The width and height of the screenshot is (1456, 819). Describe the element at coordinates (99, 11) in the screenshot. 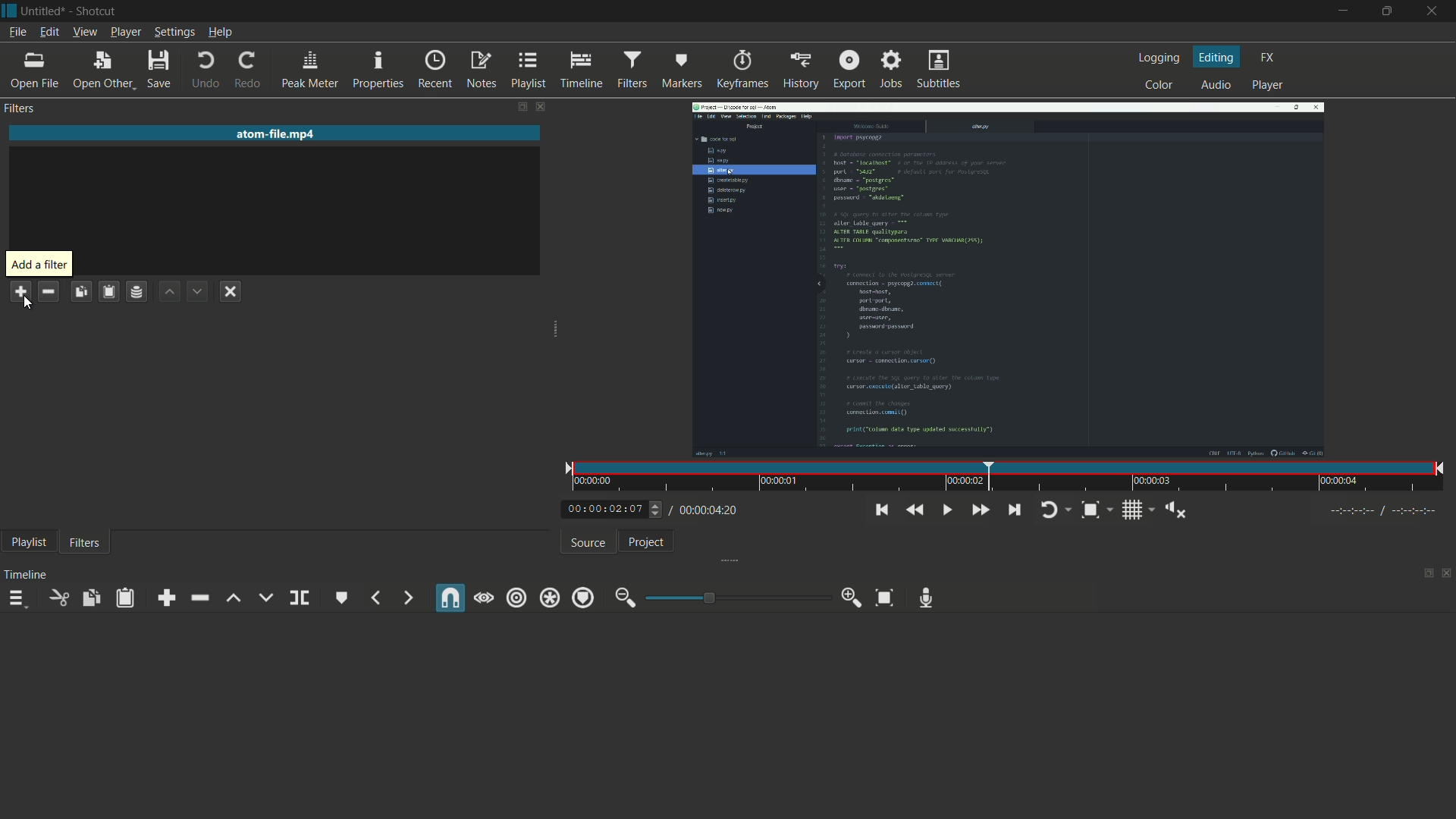

I see `app name` at that location.